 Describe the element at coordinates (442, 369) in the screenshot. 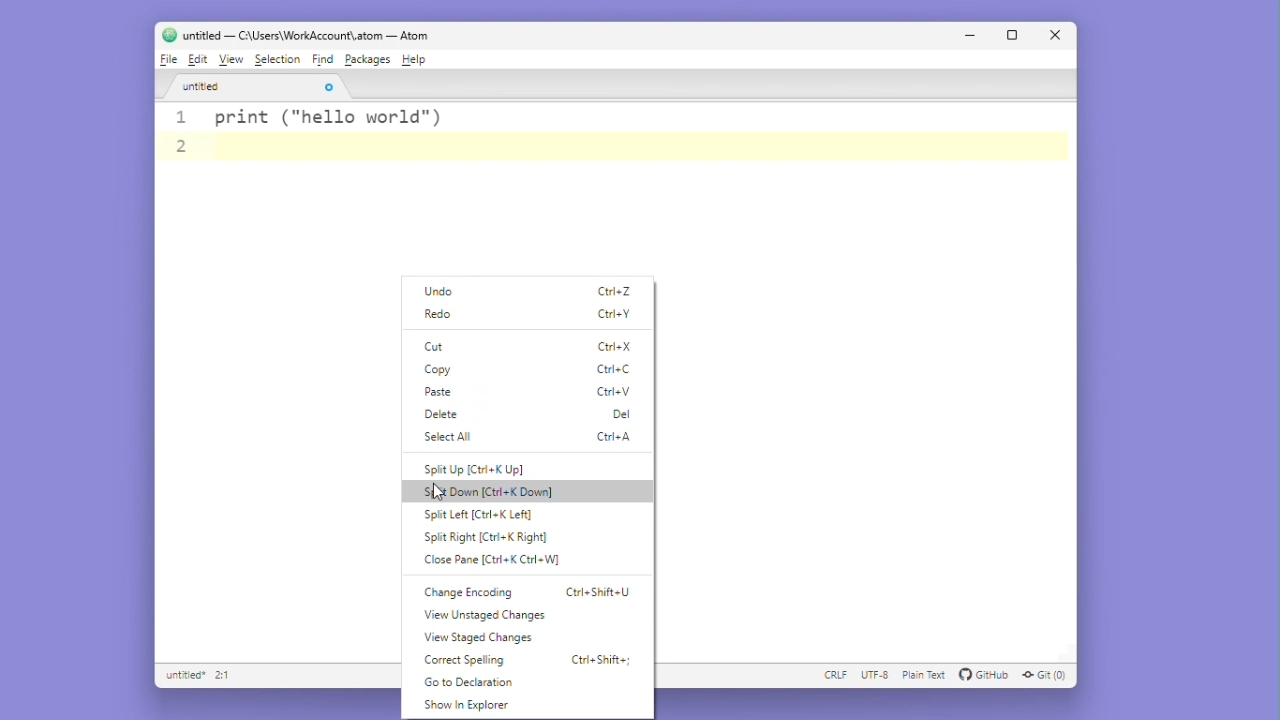

I see `copy` at that location.